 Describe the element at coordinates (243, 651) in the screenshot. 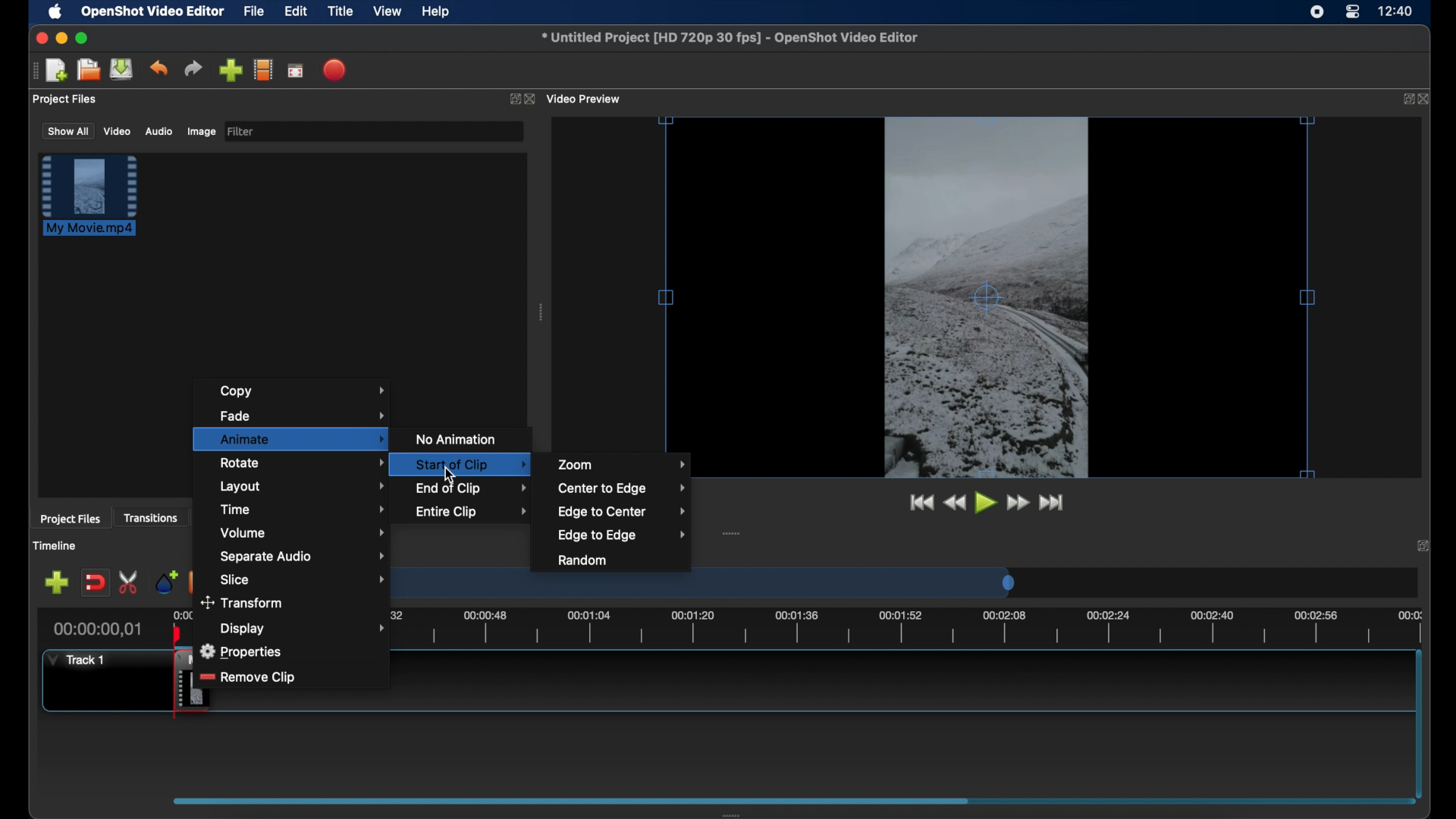

I see `properties` at that location.